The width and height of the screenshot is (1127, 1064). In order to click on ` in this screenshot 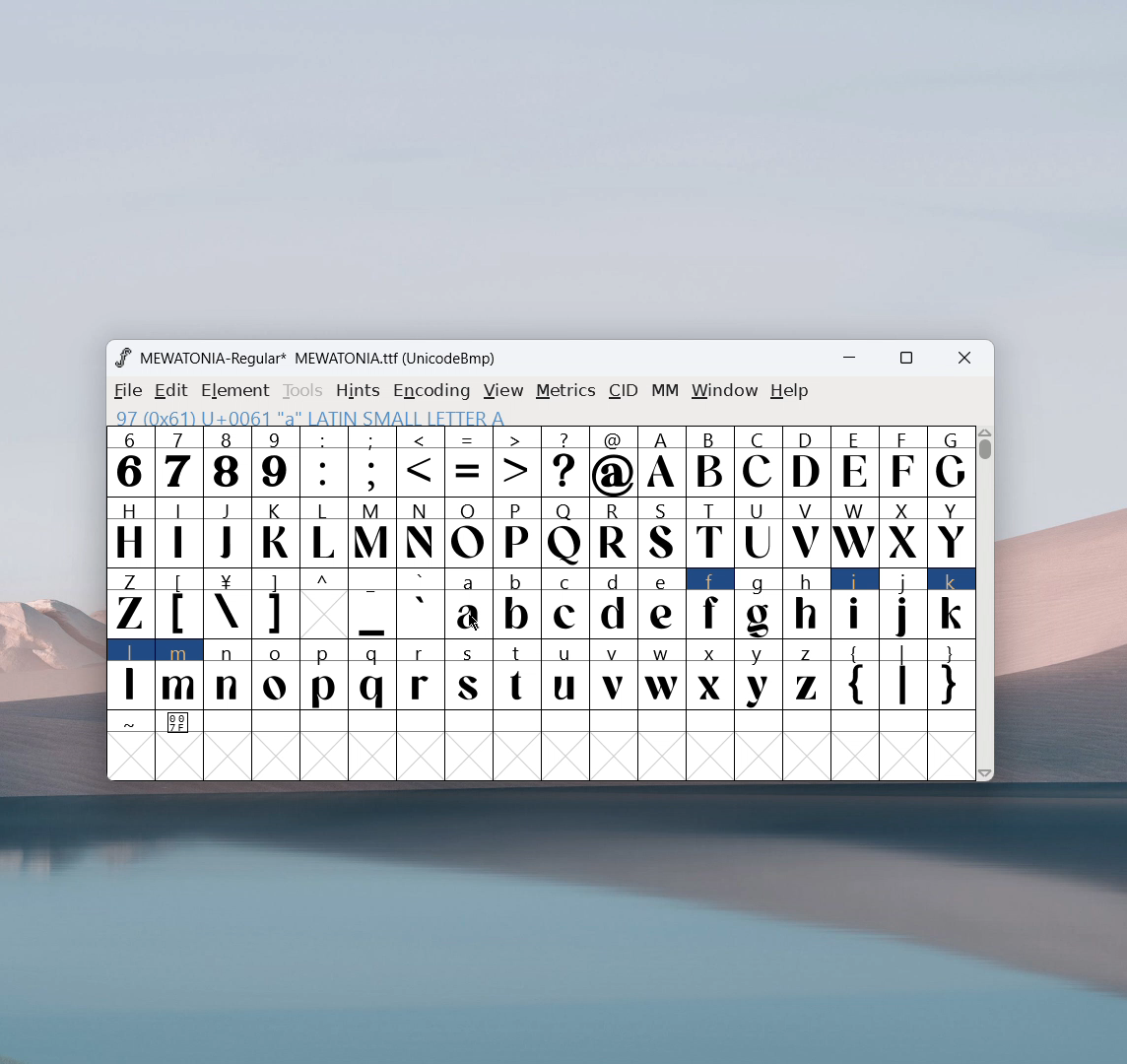, I will do `click(420, 604)`.